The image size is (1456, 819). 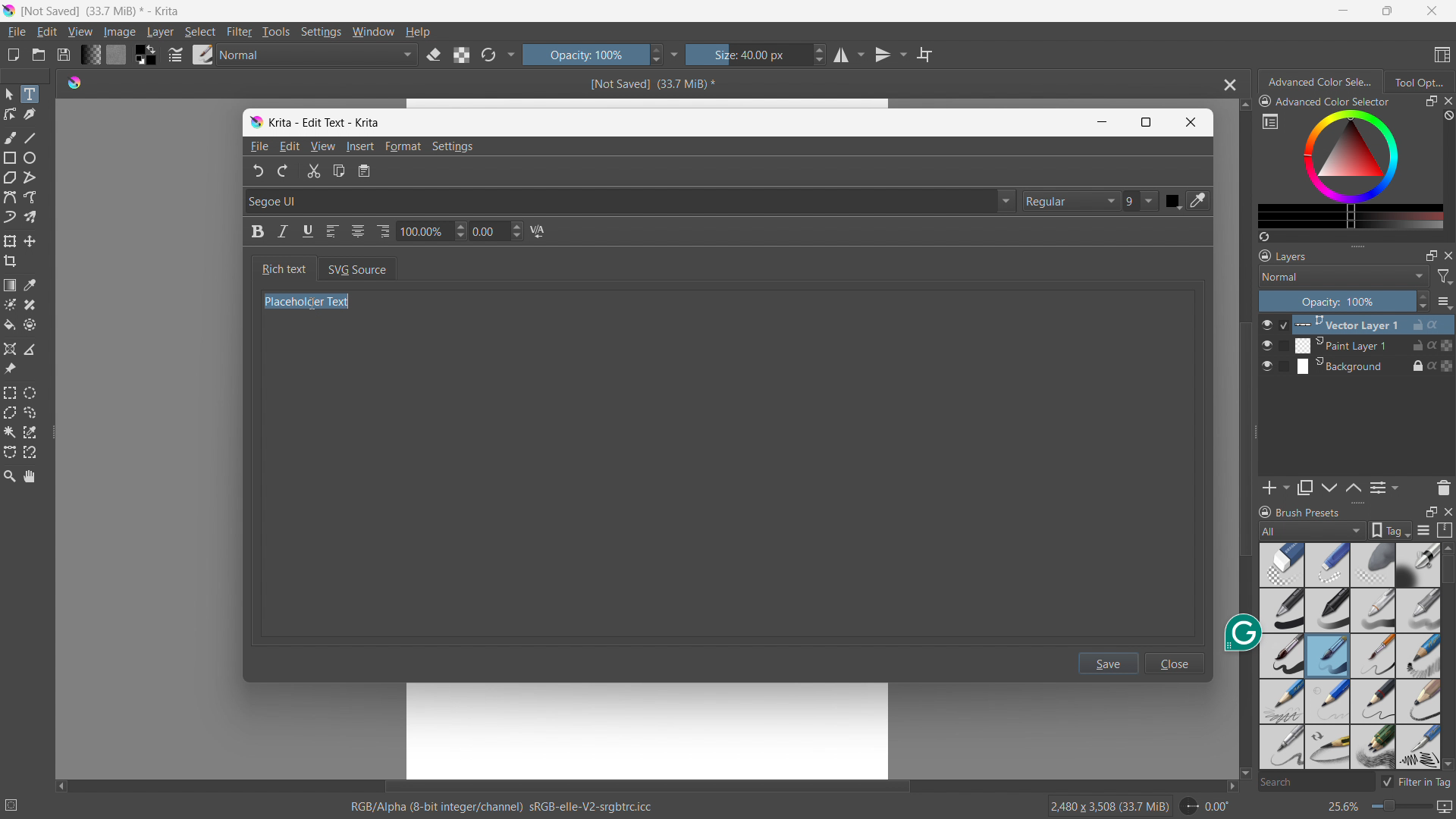 I want to click on edit, so click(x=46, y=33).